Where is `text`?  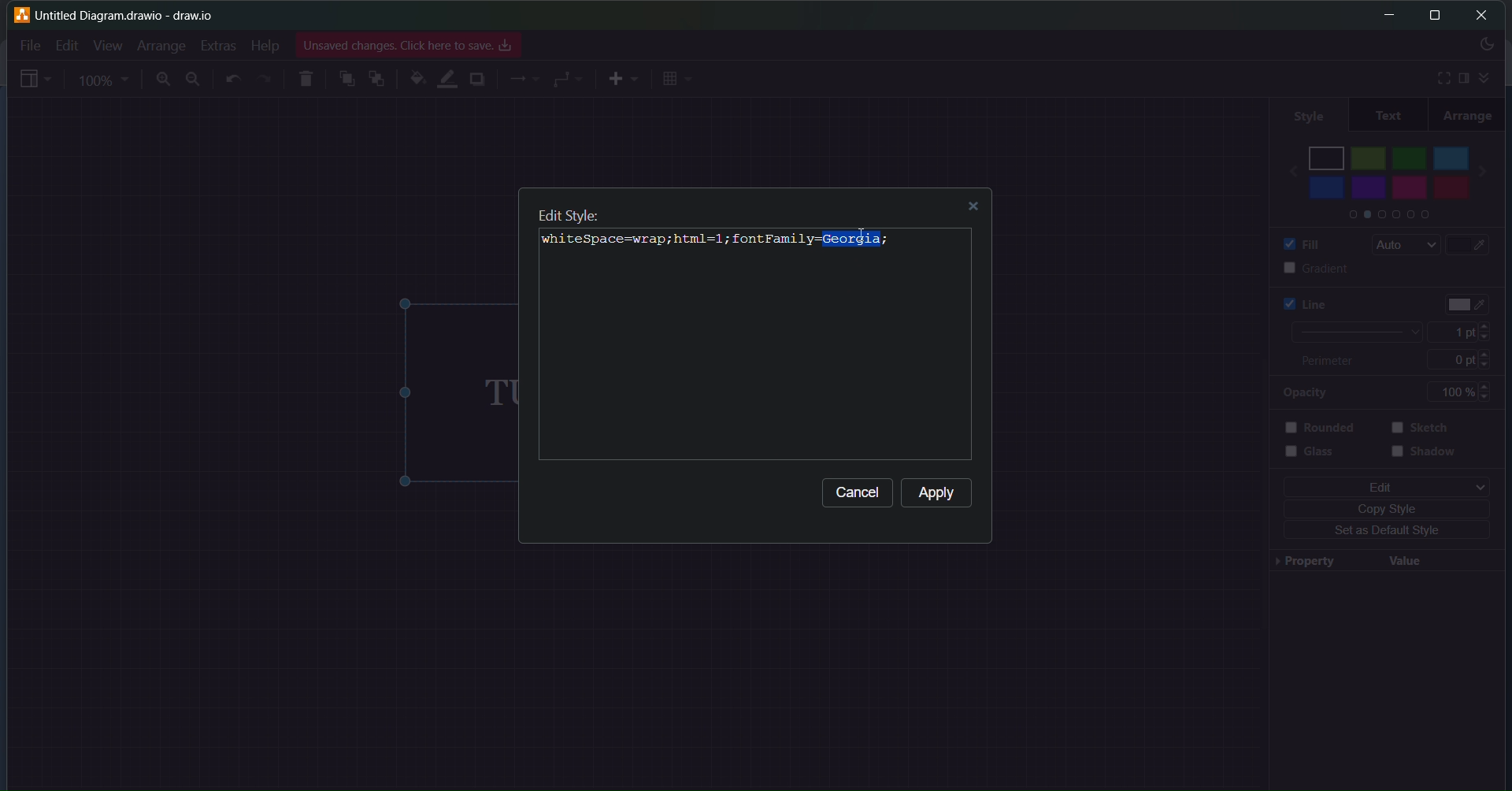
text is located at coordinates (1388, 115).